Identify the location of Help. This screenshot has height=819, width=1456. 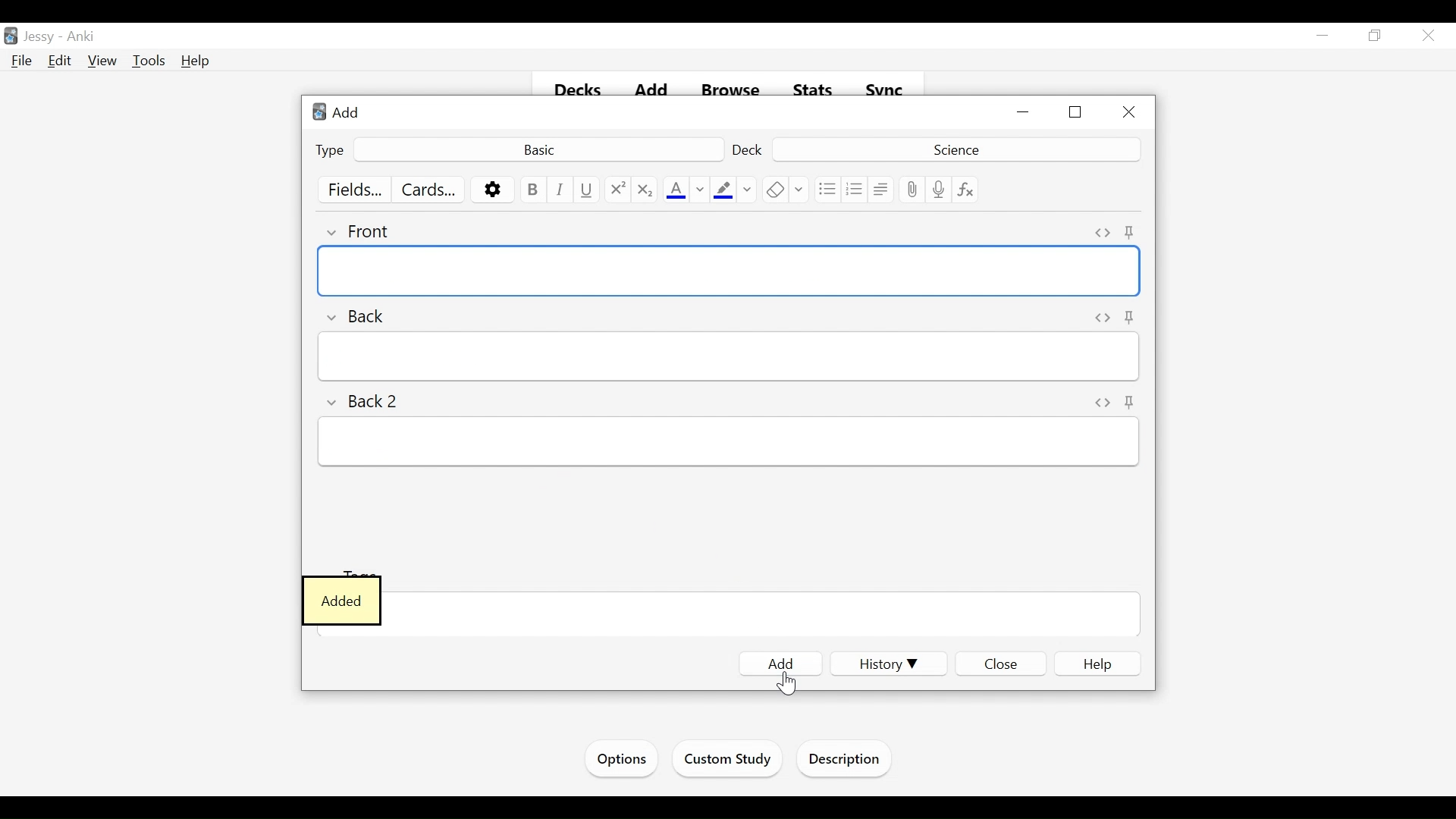
(1099, 664).